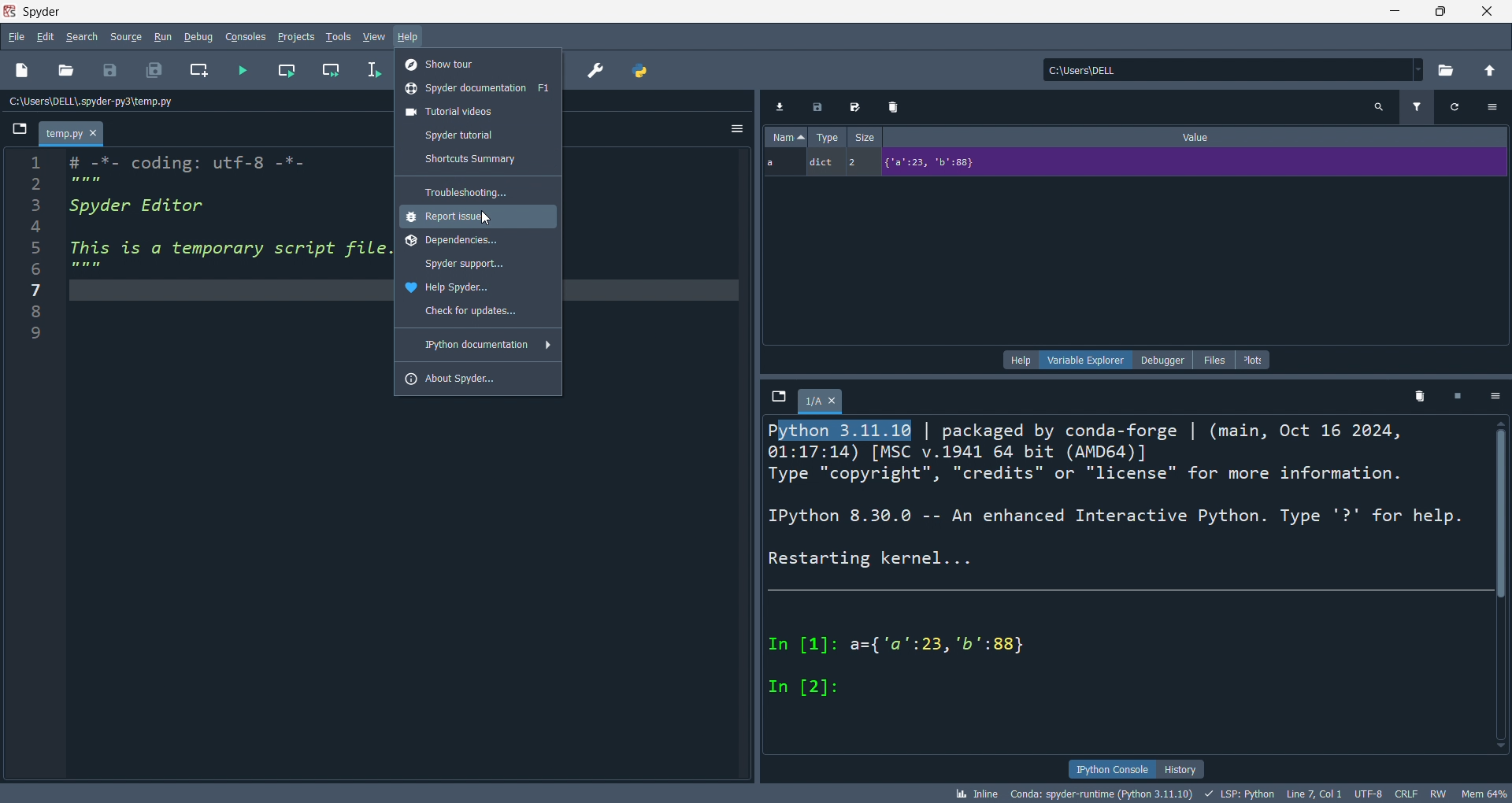 The width and height of the screenshot is (1512, 803). Describe the element at coordinates (1490, 72) in the screenshot. I see `open parent direct` at that location.